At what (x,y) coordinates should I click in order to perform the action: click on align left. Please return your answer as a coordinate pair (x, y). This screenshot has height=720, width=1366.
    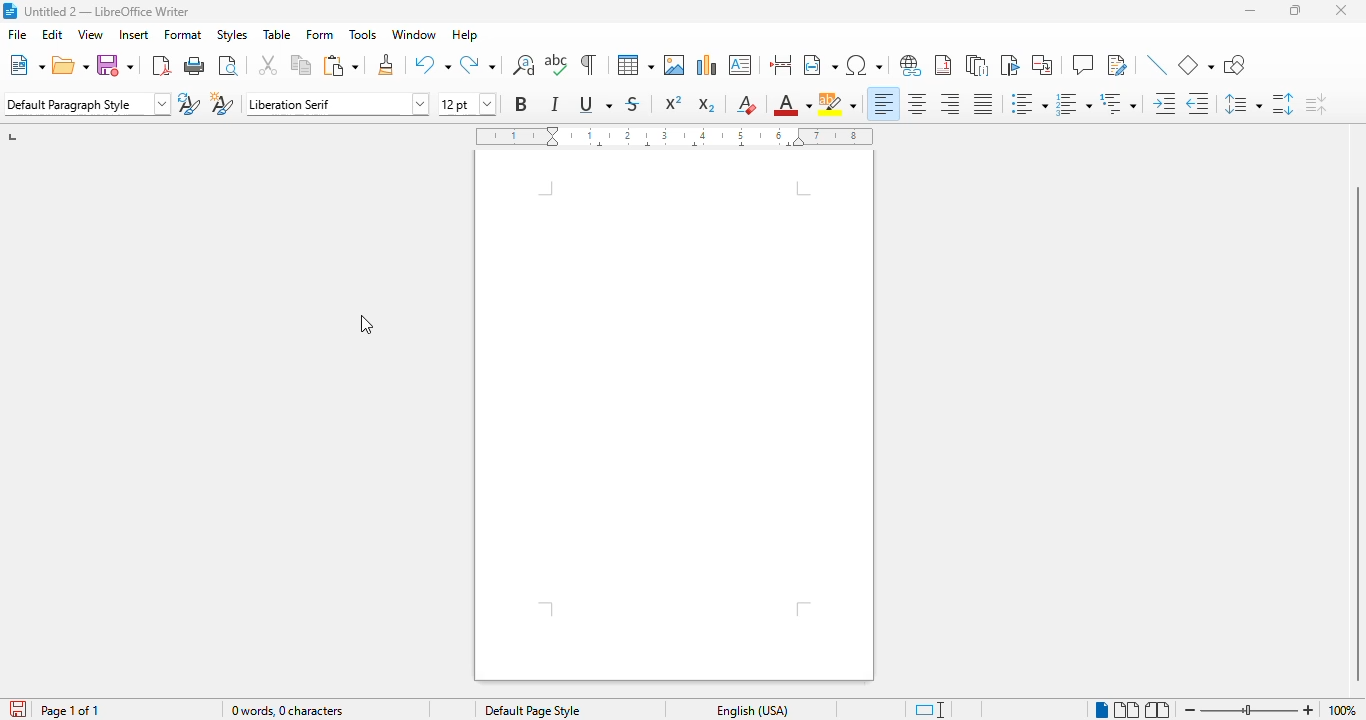
    Looking at the image, I should click on (884, 104).